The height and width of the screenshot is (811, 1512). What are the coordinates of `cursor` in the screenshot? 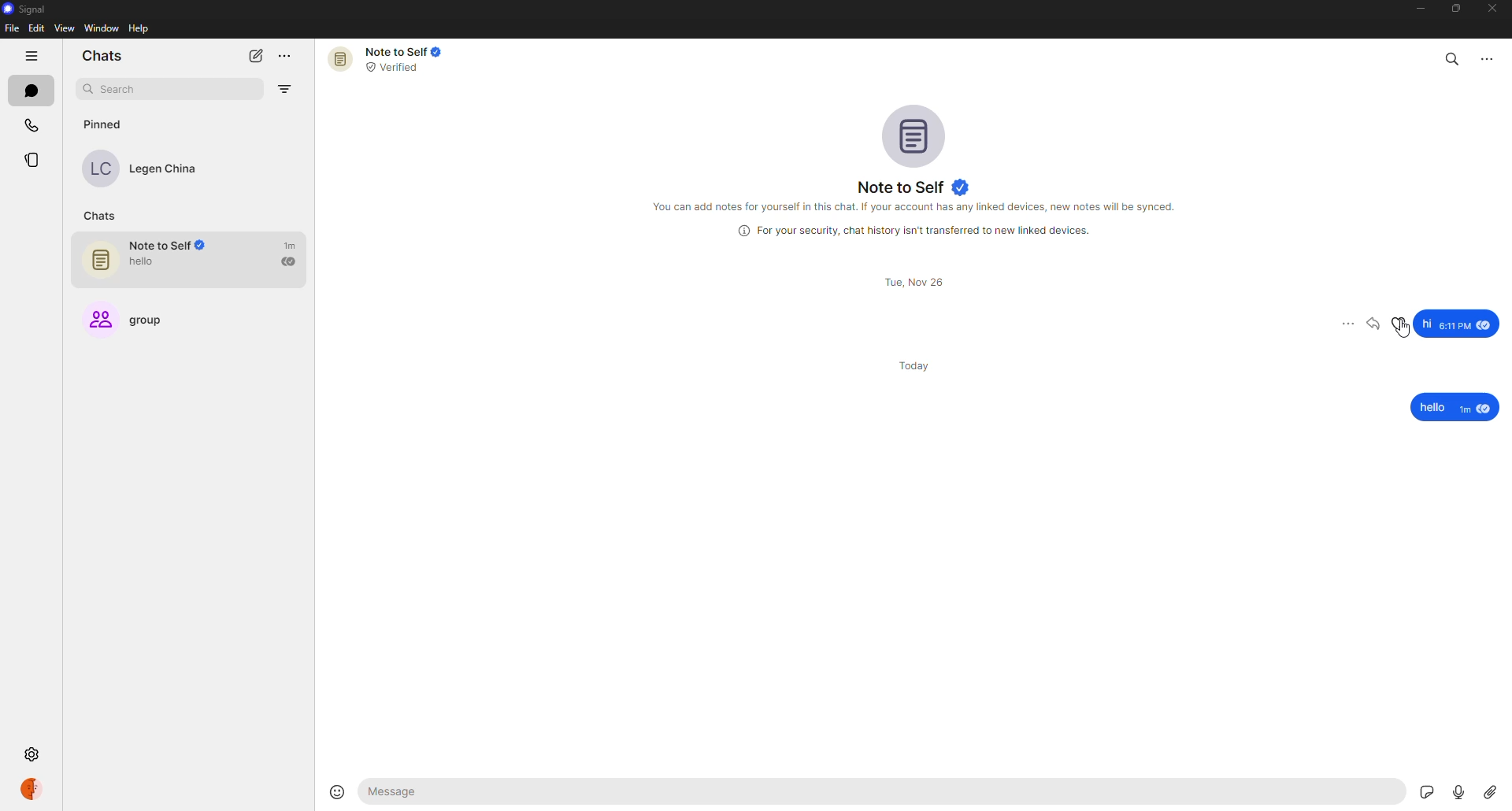 It's located at (1402, 335).